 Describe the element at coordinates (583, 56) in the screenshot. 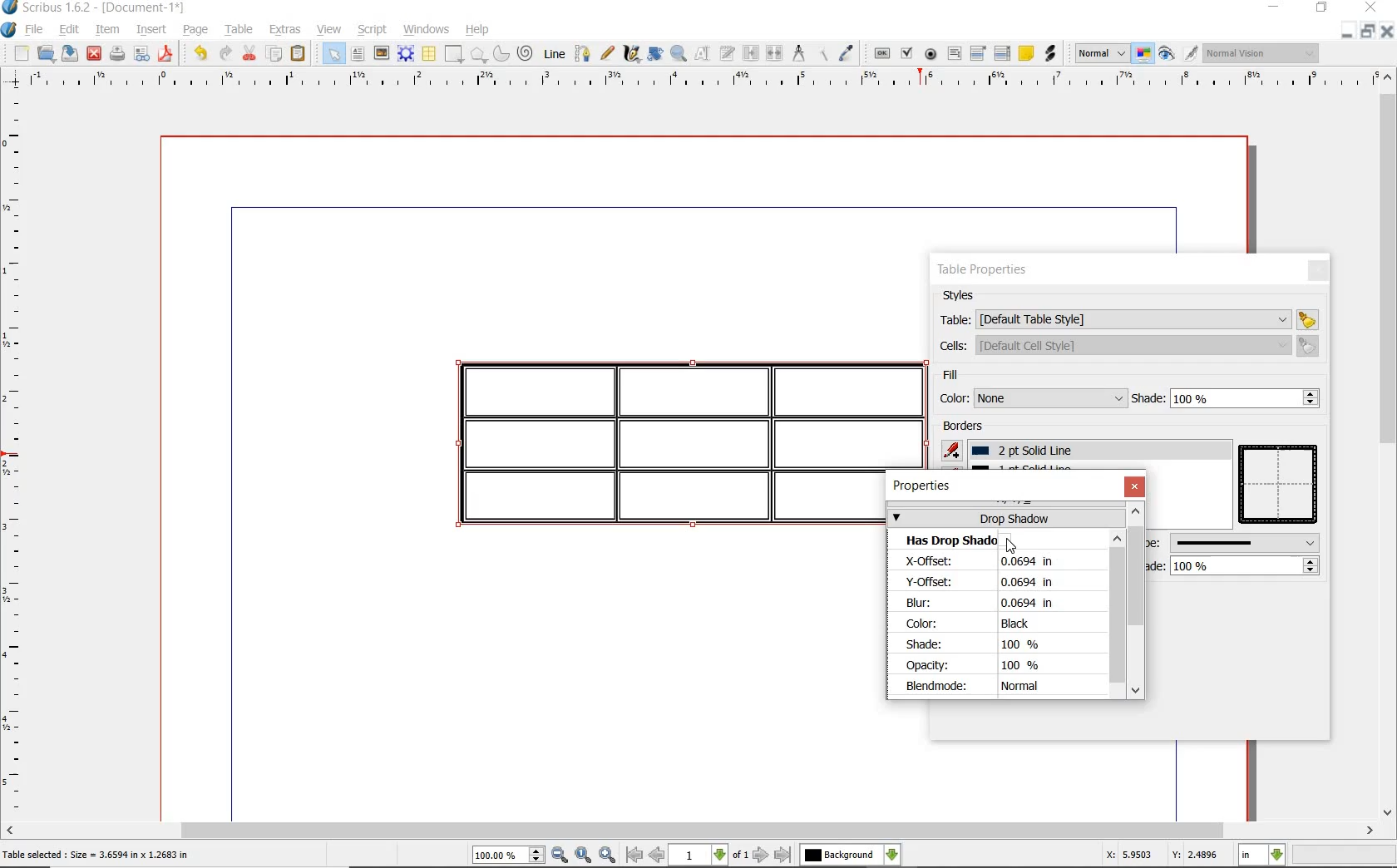

I see `bezier curve` at that location.